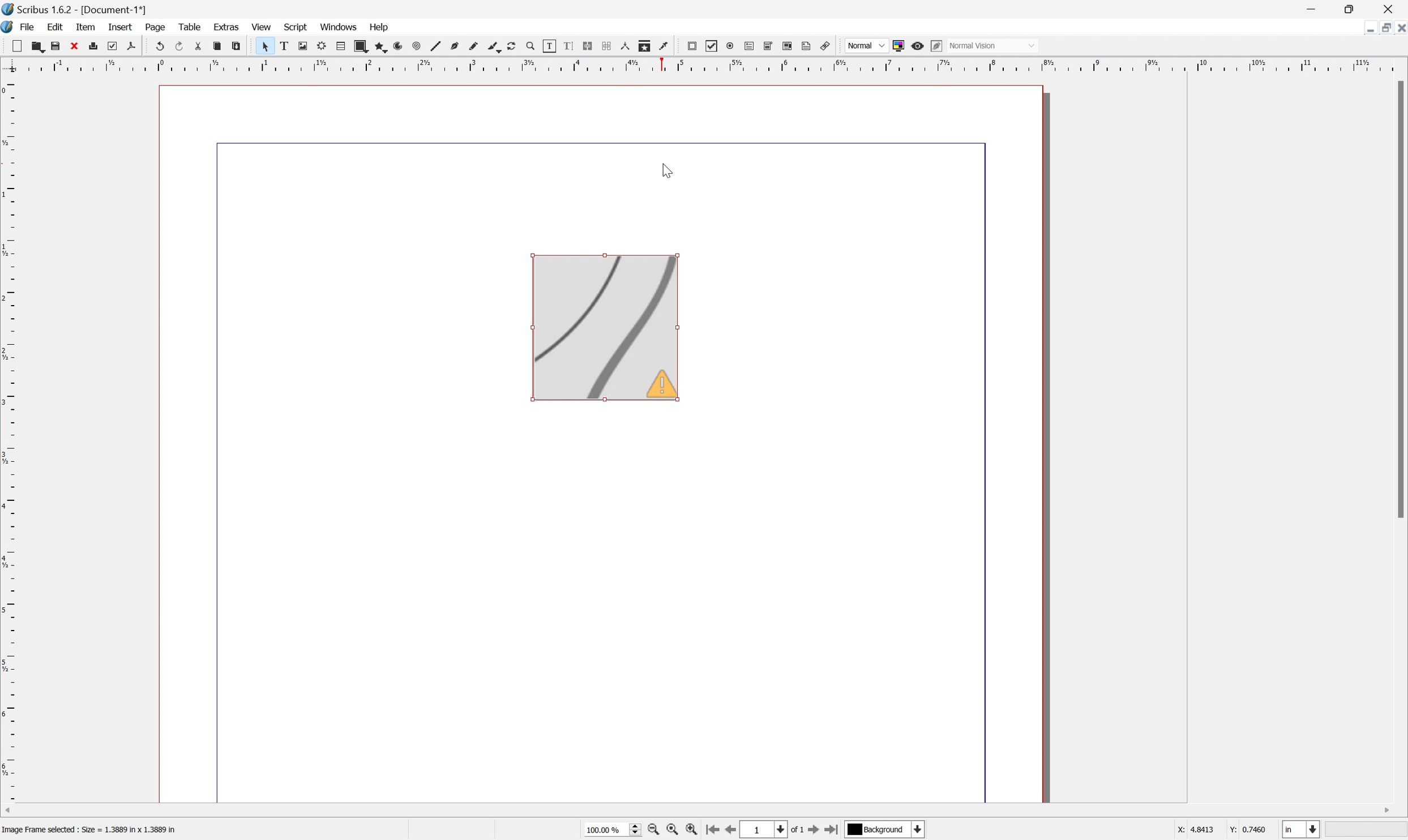 This screenshot has width=1408, height=840. I want to click on Save, so click(59, 45).